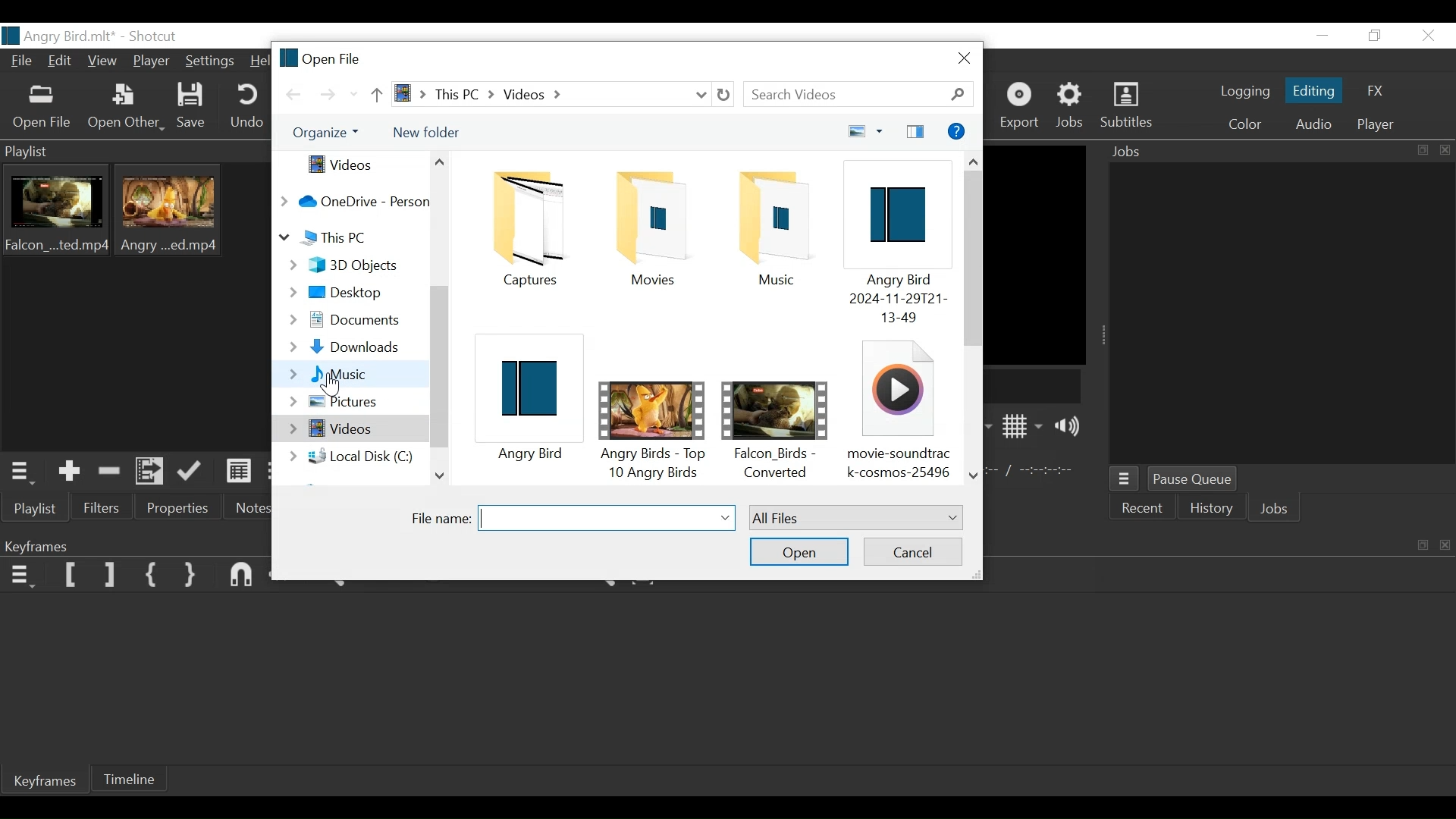 This screenshot has height=819, width=1456. Describe the element at coordinates (43, 108) in the screenshot. I see `Open File` at that location.